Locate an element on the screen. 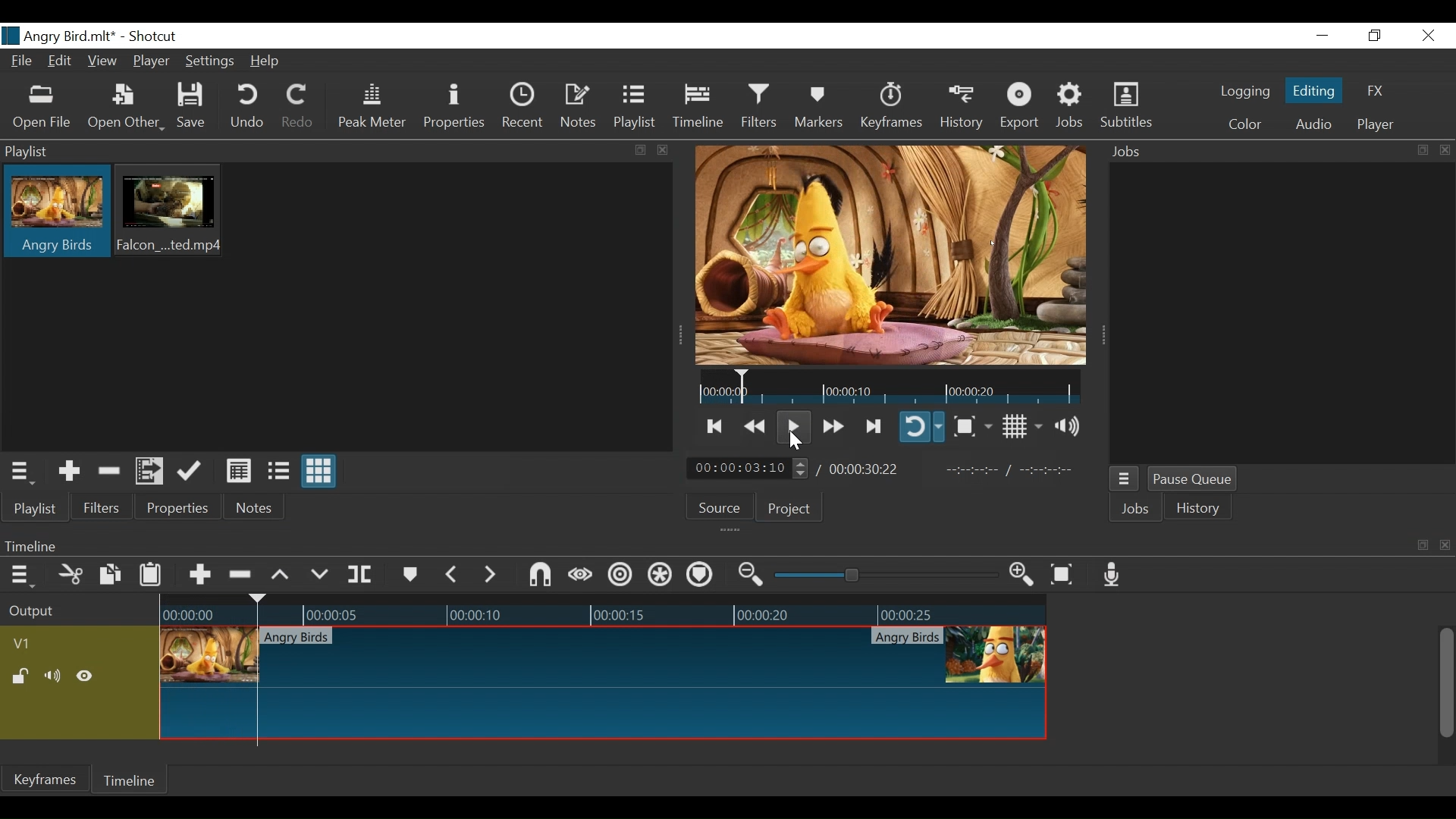  Ripple markers is located at coordinates (699, 576).